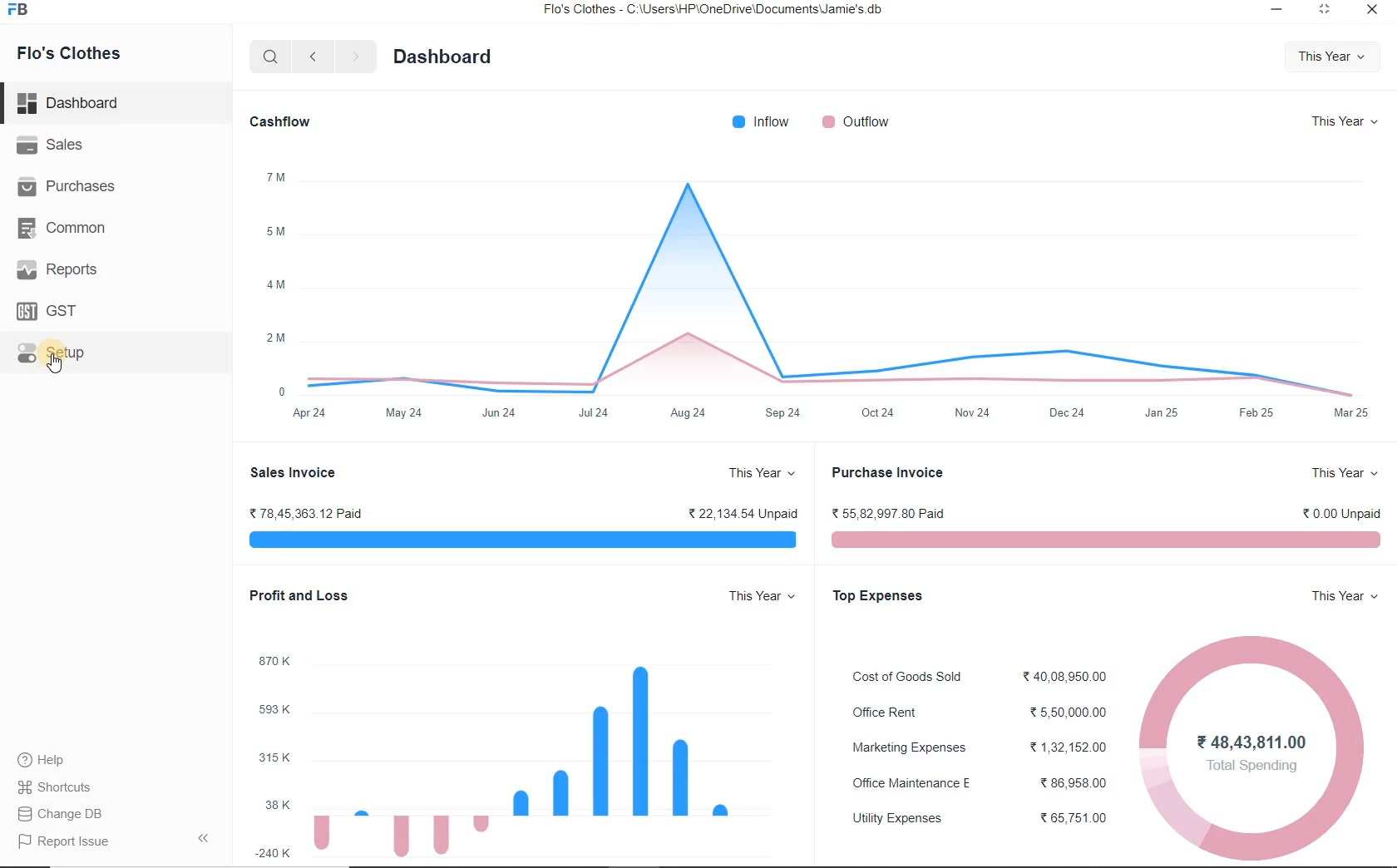 The height and width of the screenshot is (868, 1397). I want to click on Aug 24, so click(693, 415).